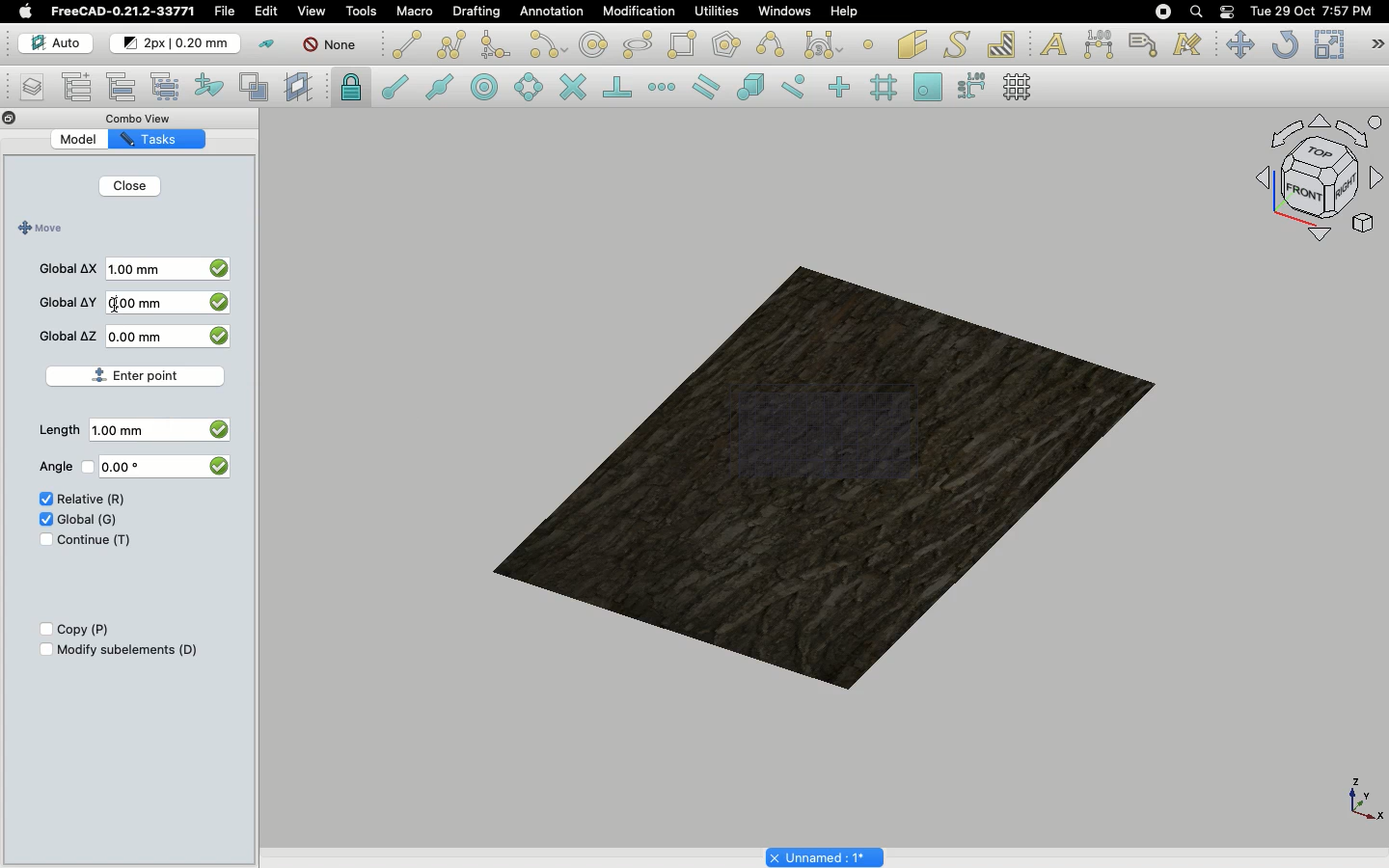 The width and height of the screenshot is (1389, 868). Describe the element at coordinates (149, 337) in the screenshot. I see `0.00 mm` at that location.